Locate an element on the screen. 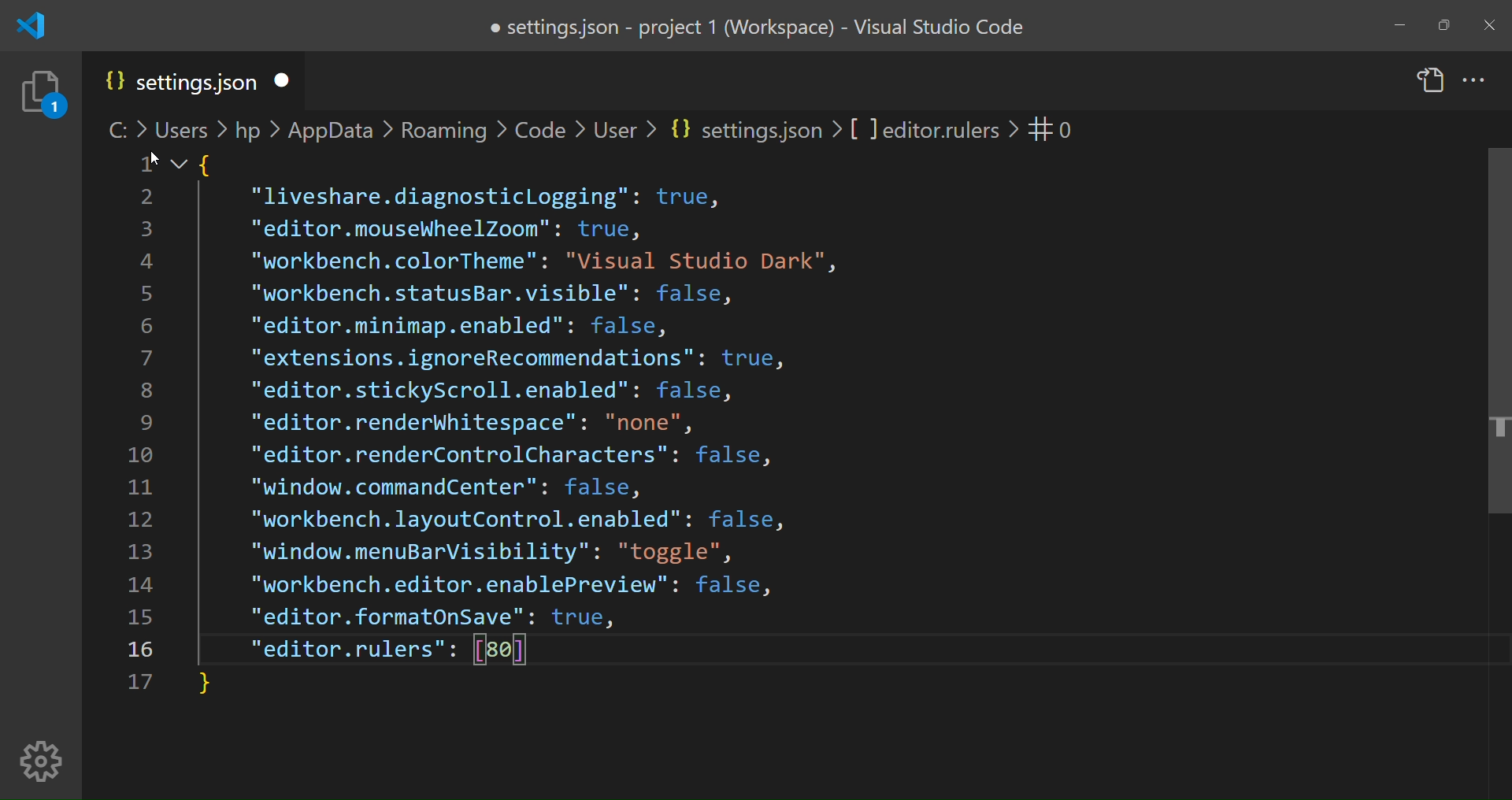 Image resolution: width=1512 pixels, height=800 pixels. path is located at coordinates (558, 128).